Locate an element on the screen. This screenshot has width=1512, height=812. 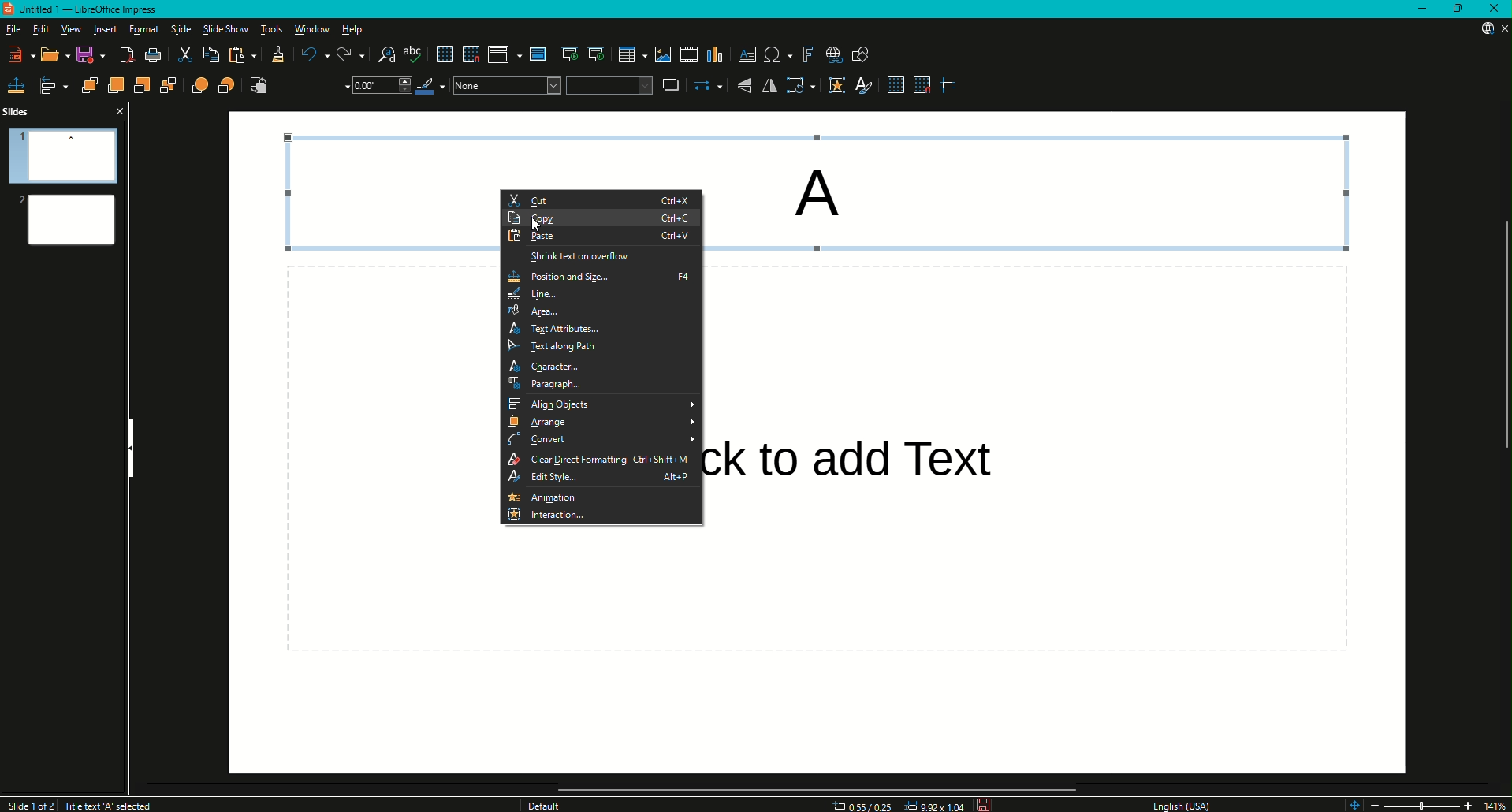
Spelling is located at coordinates (412, 54).